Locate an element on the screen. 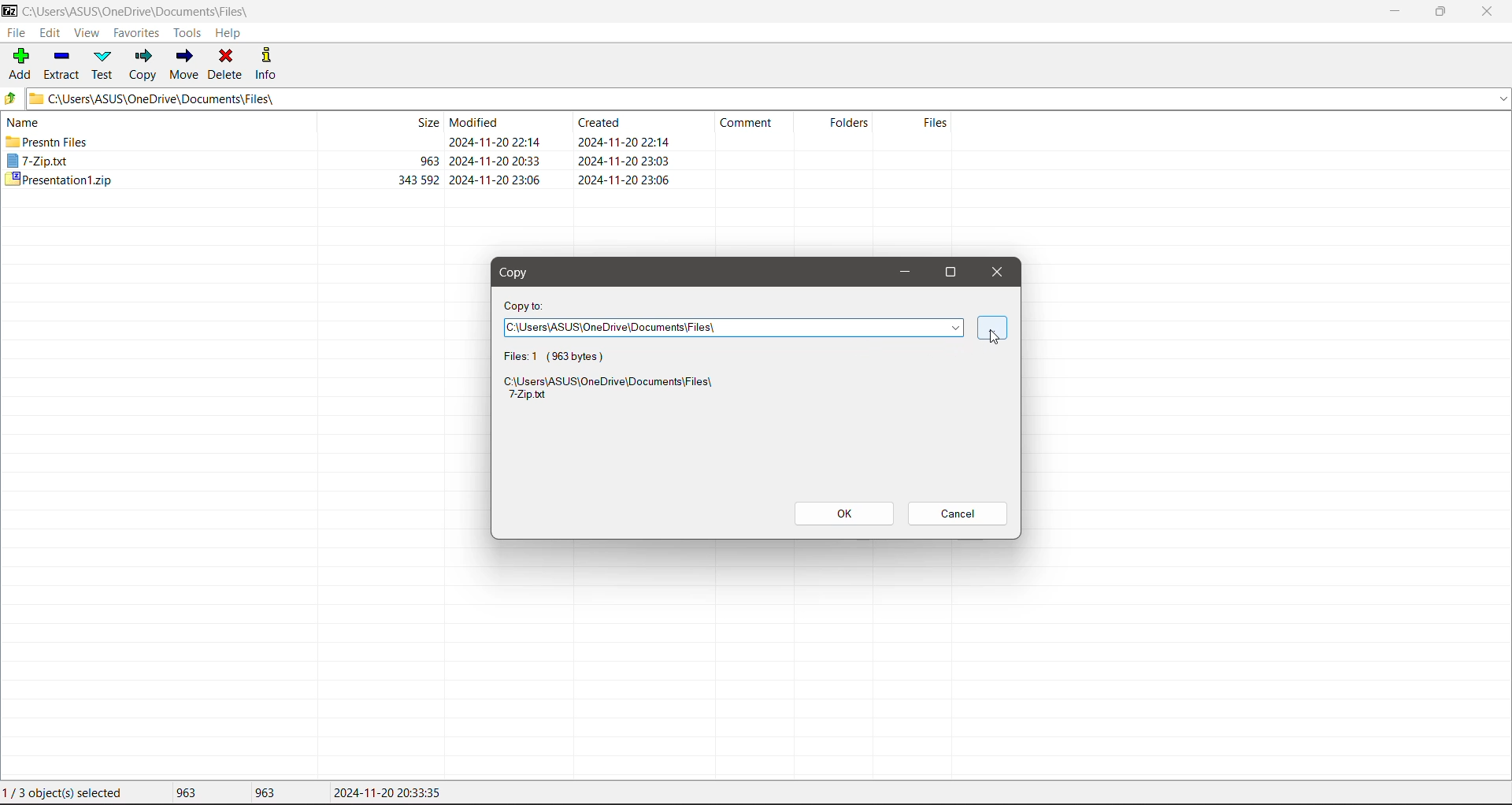 The image size is (1512, 805). 7.zip.txt is located at coordinates (39, 161).